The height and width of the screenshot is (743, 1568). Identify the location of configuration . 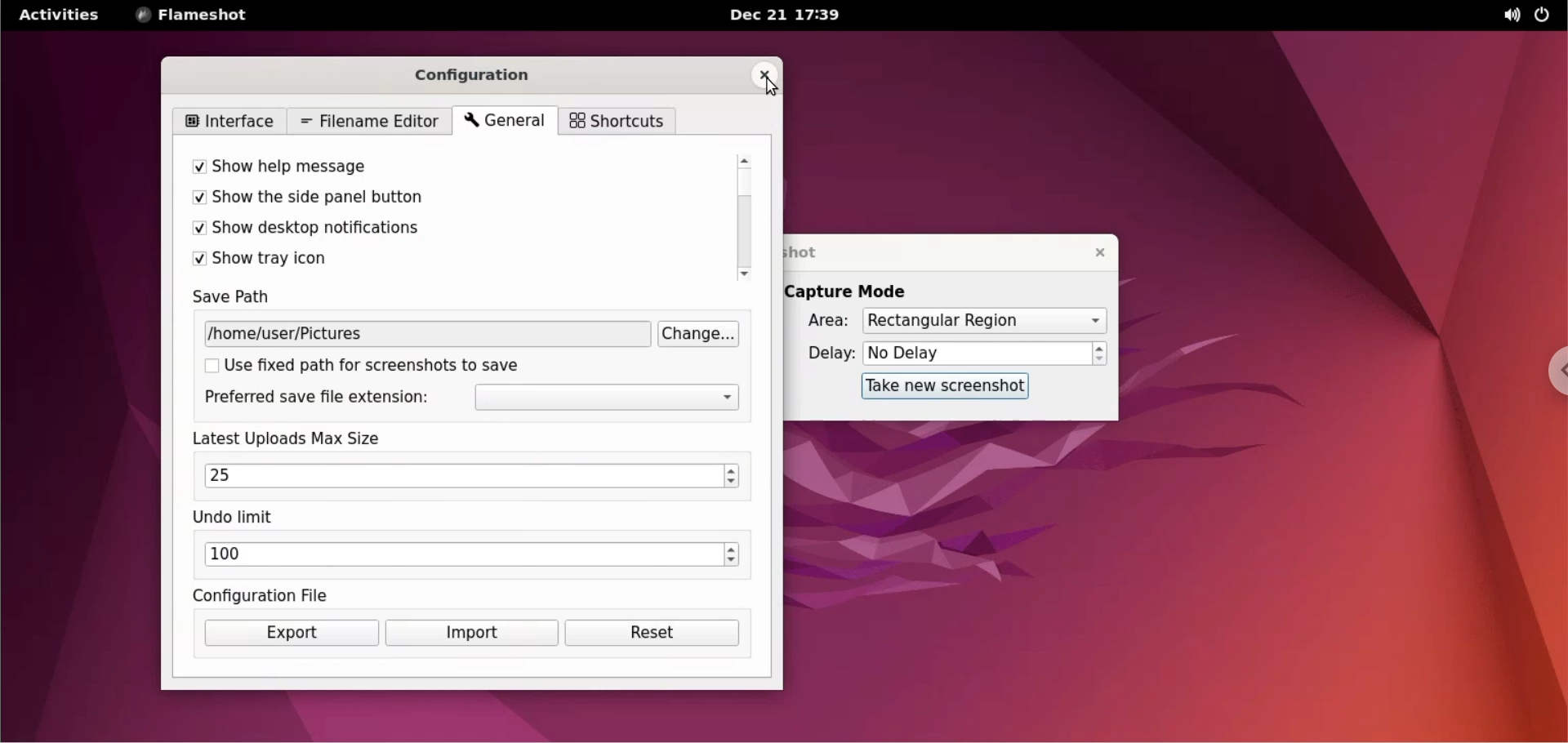
(484, 73).